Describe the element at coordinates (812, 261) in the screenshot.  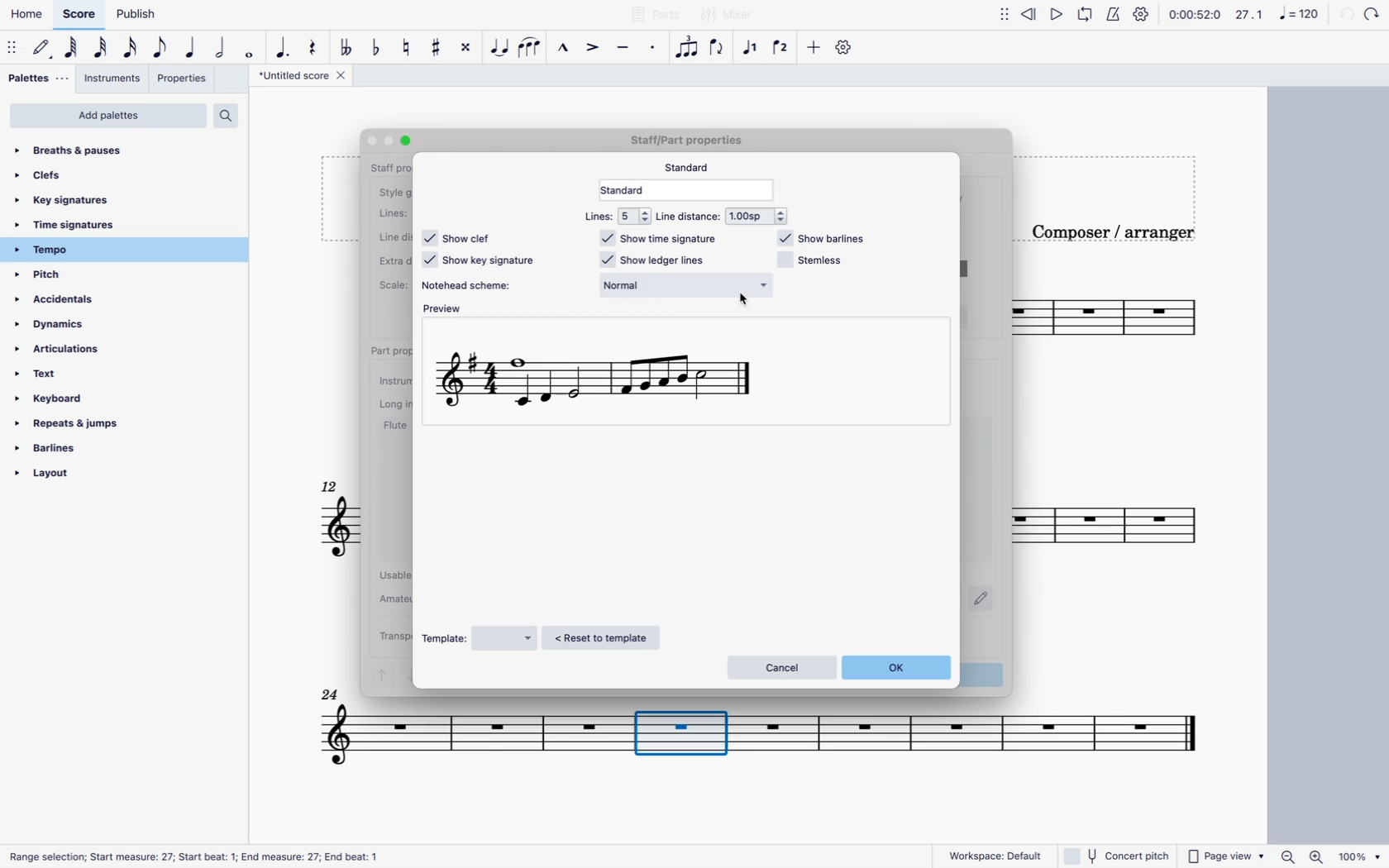
I see `stemless` at that location.